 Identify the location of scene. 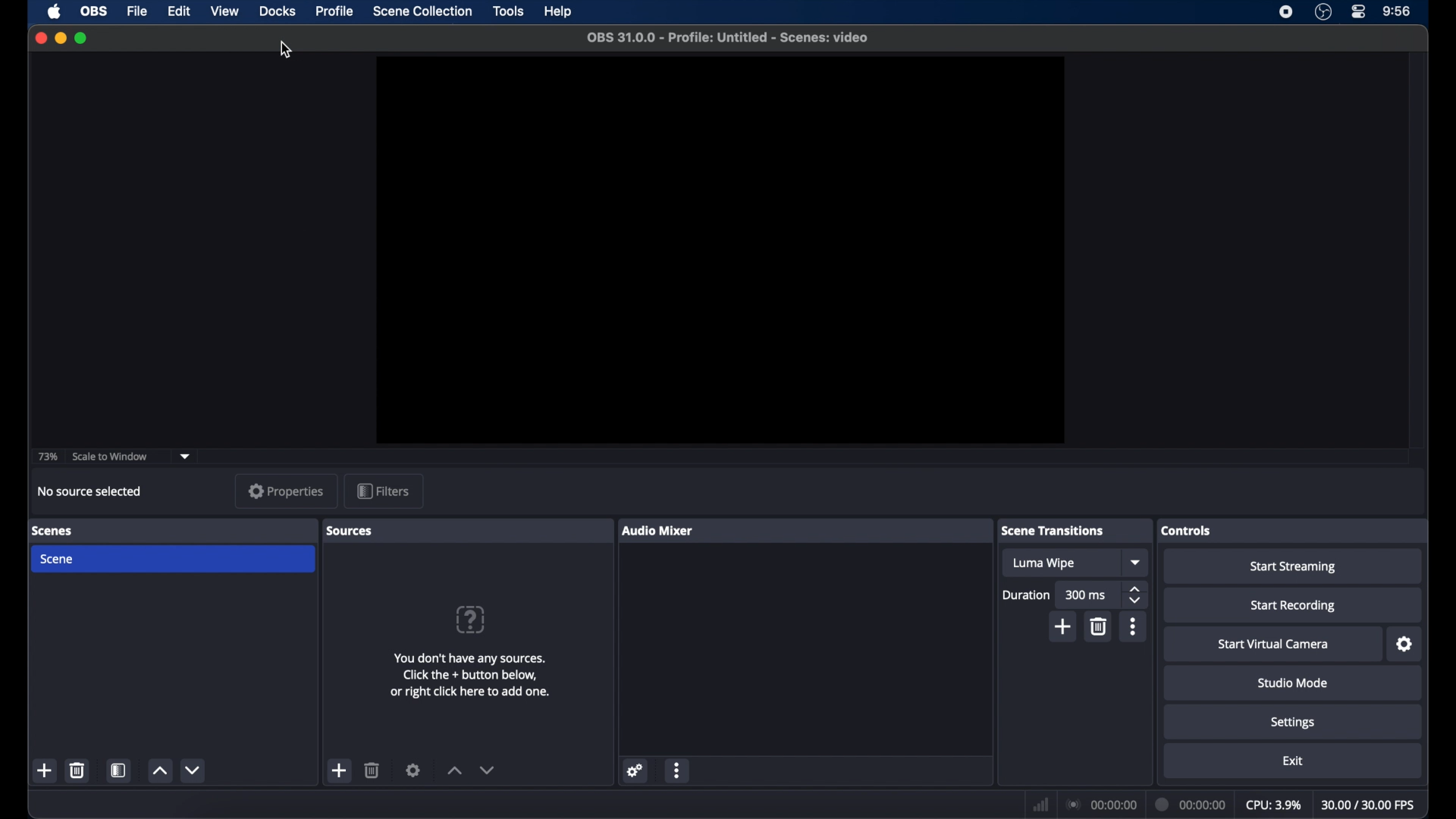
(172, 559).